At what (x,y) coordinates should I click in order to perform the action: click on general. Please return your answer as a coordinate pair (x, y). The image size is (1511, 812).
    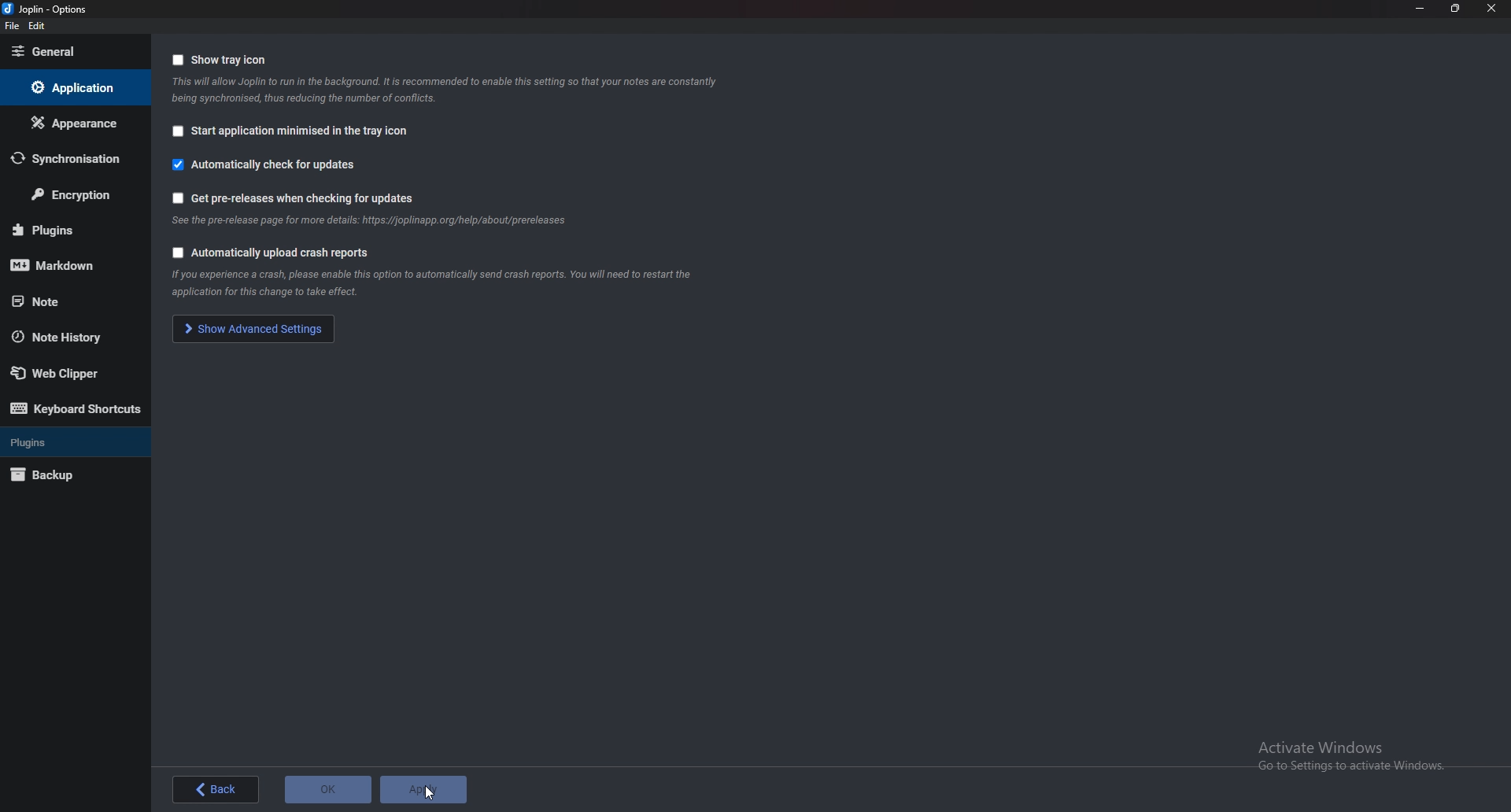
    Looking at the image, I should click on (71, 51).